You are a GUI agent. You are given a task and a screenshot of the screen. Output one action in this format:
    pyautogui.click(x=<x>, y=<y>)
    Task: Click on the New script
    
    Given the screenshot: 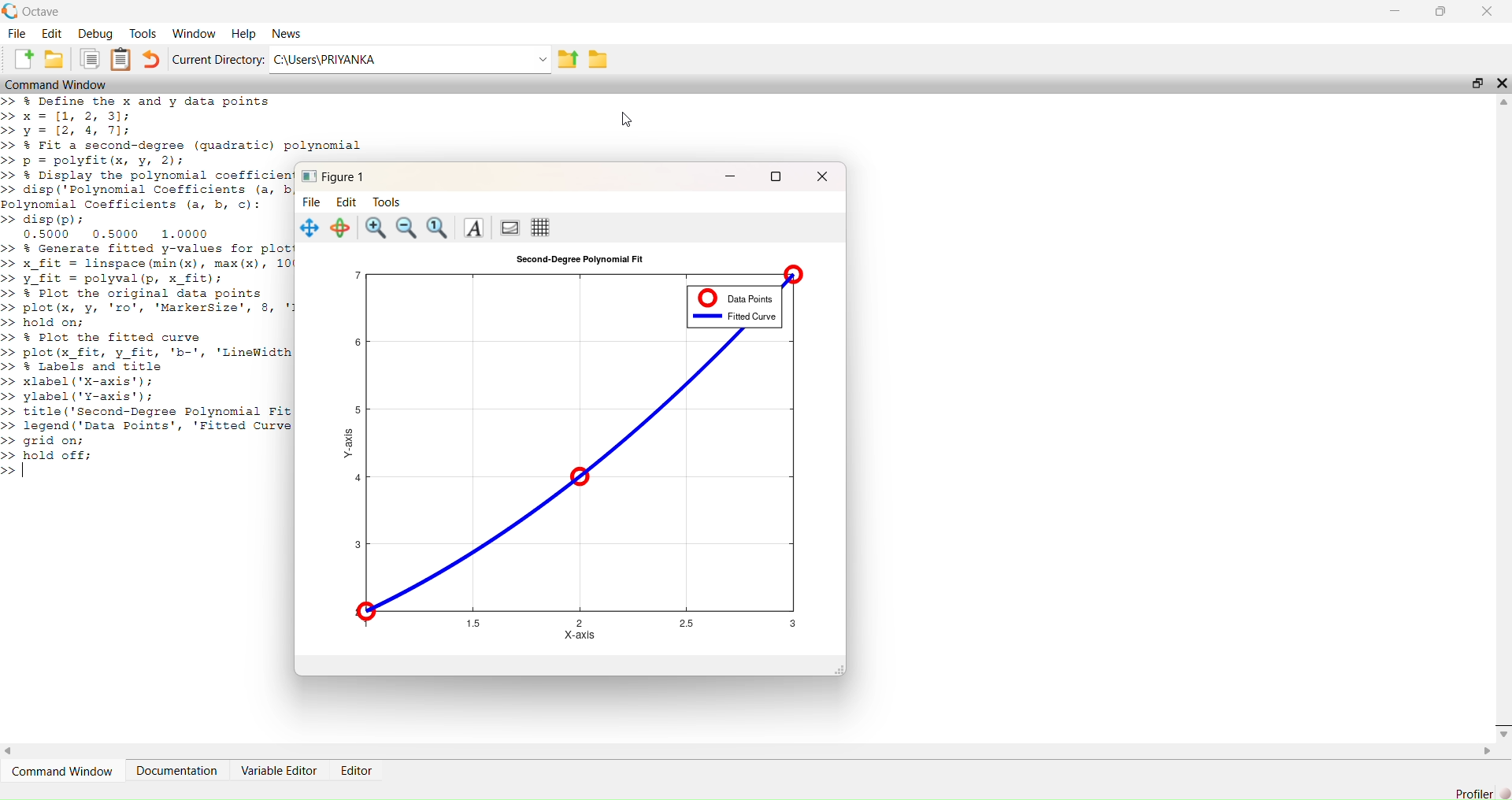 What is the action you would take?
    pyautogui.click(x=24, y=59)
    